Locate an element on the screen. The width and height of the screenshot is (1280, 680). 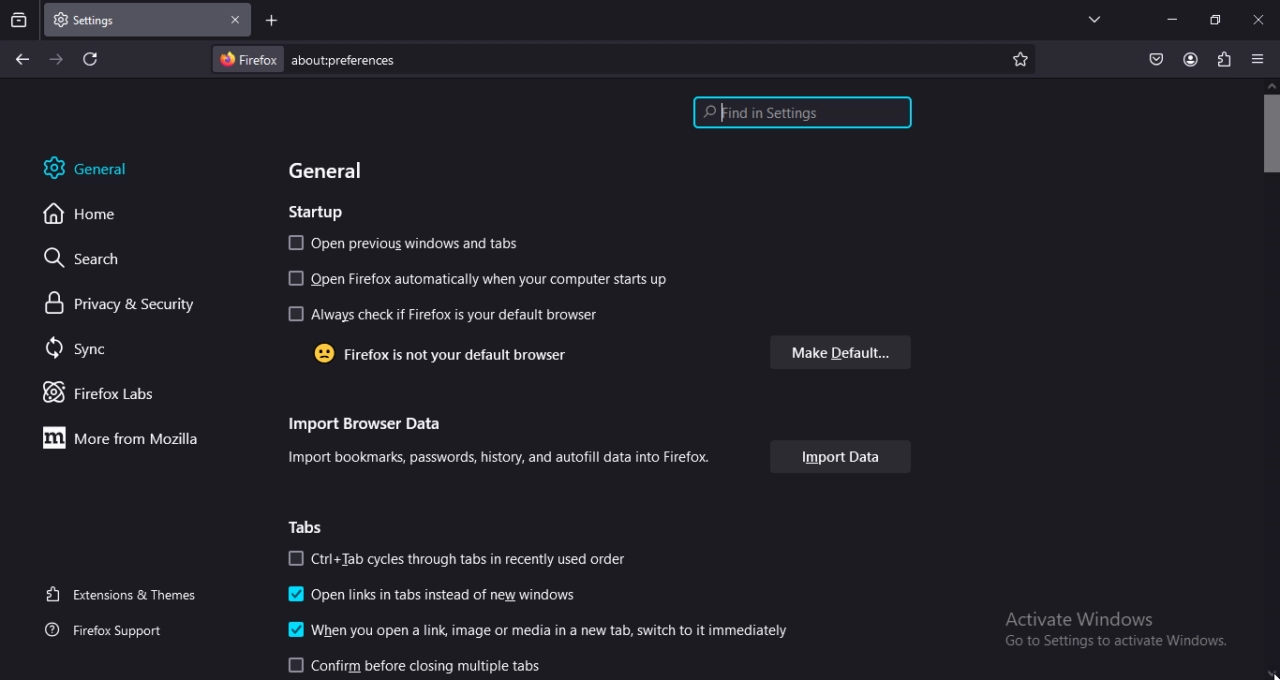
firefox labs is located at coordinates (101, 393).